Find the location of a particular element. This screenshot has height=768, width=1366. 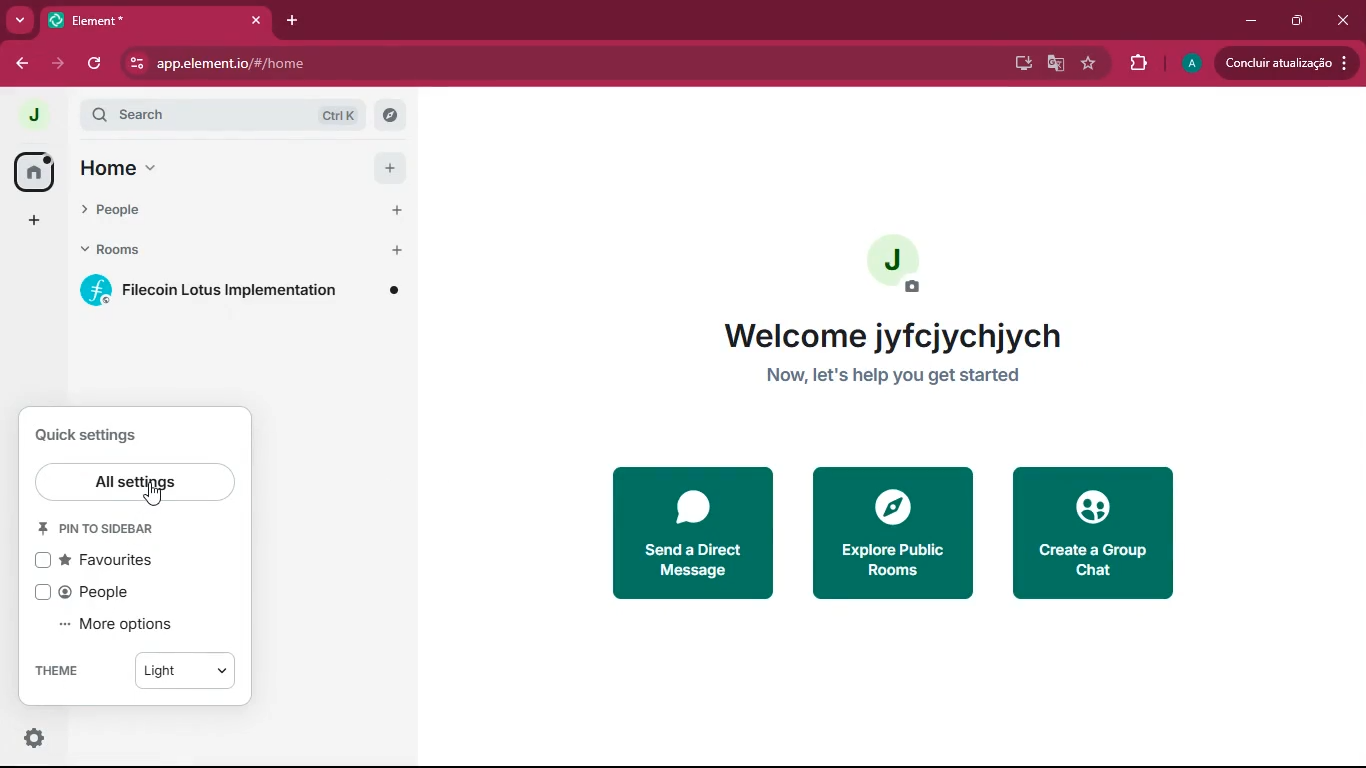

maximize is located at coordinates (1297, 22).